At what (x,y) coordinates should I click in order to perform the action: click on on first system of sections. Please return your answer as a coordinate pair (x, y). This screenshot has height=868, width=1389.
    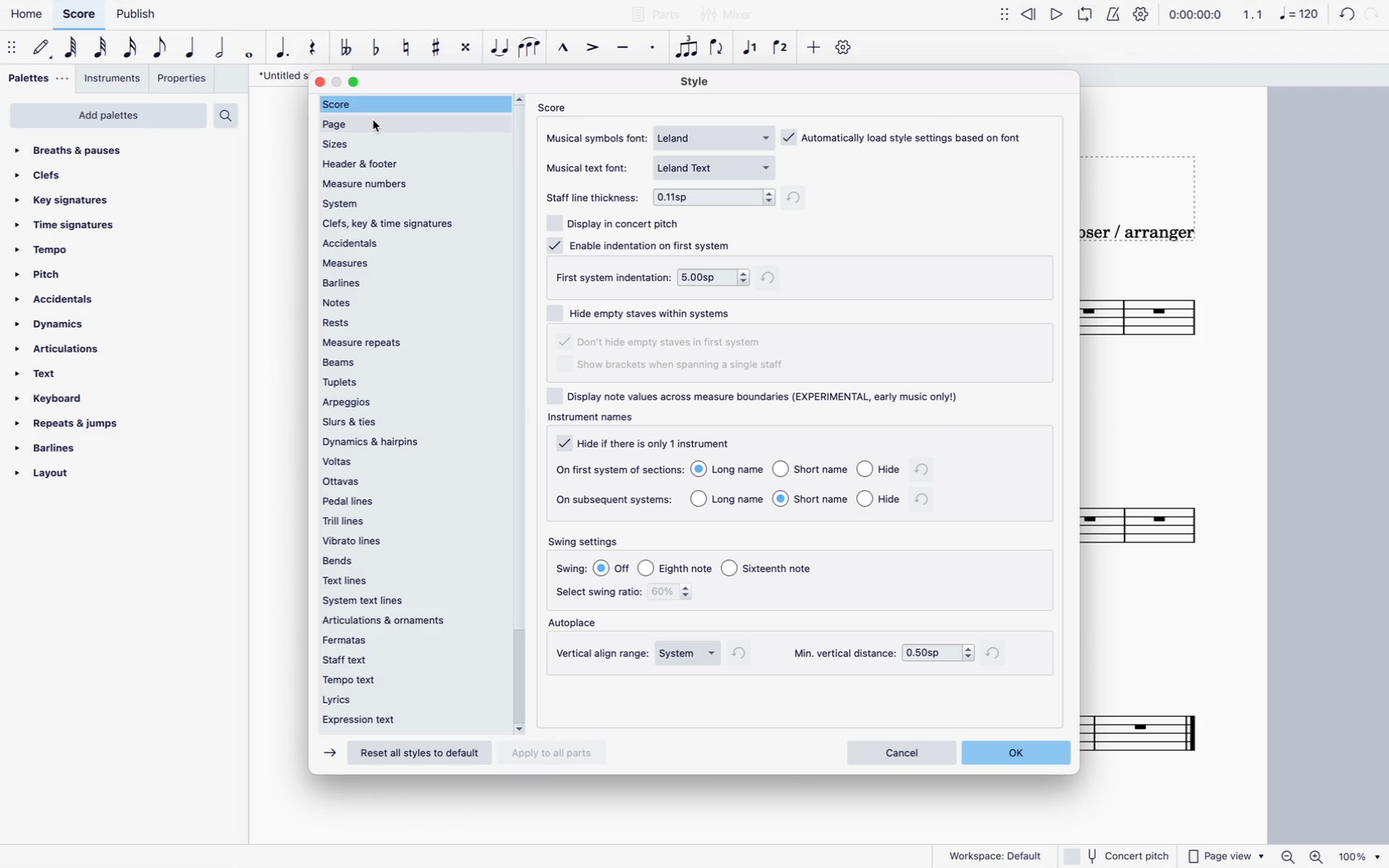
    Looking at the image, I should click on (619, 468).